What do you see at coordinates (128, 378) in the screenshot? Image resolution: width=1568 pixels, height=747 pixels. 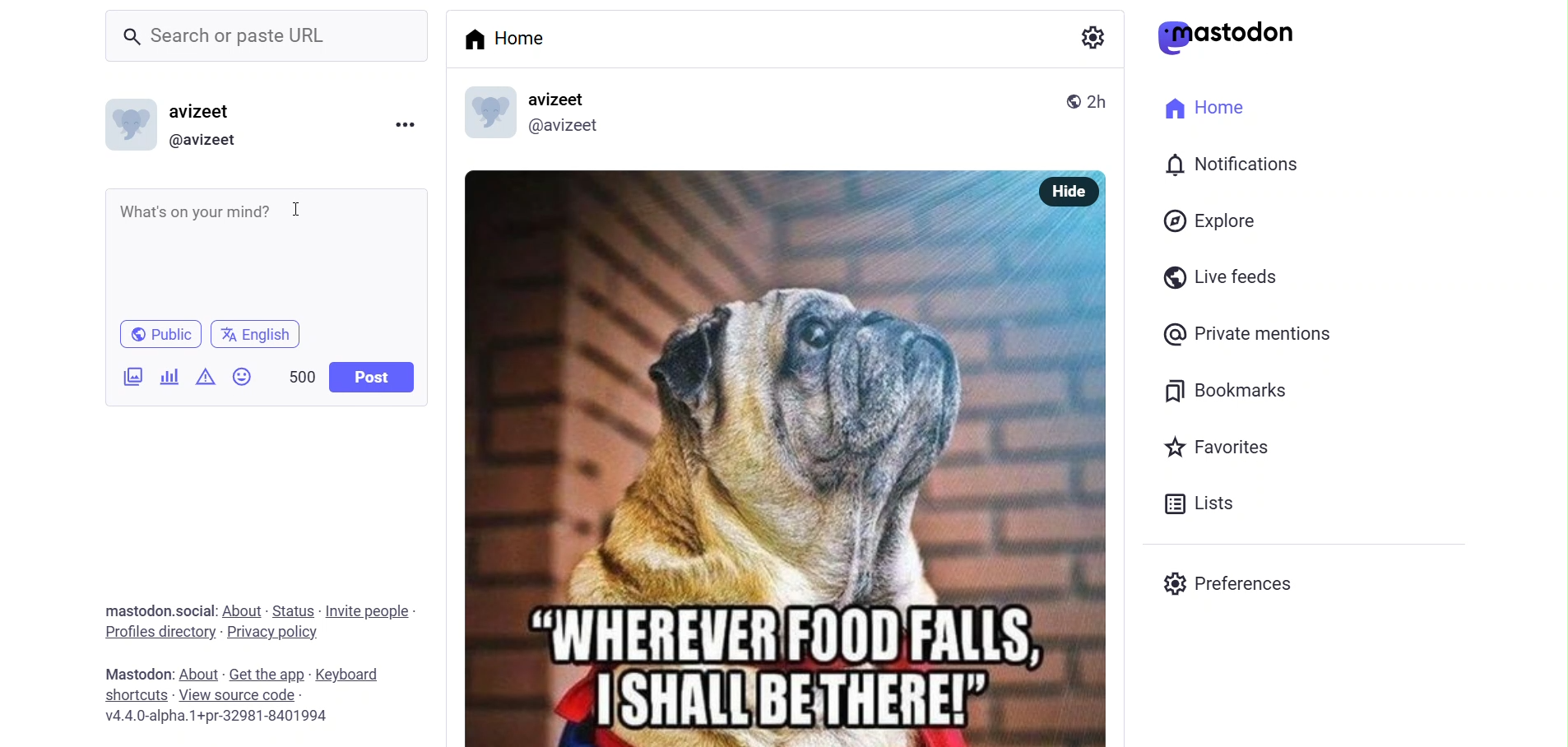 I see `images/videos` at bounding box center [128, 378].